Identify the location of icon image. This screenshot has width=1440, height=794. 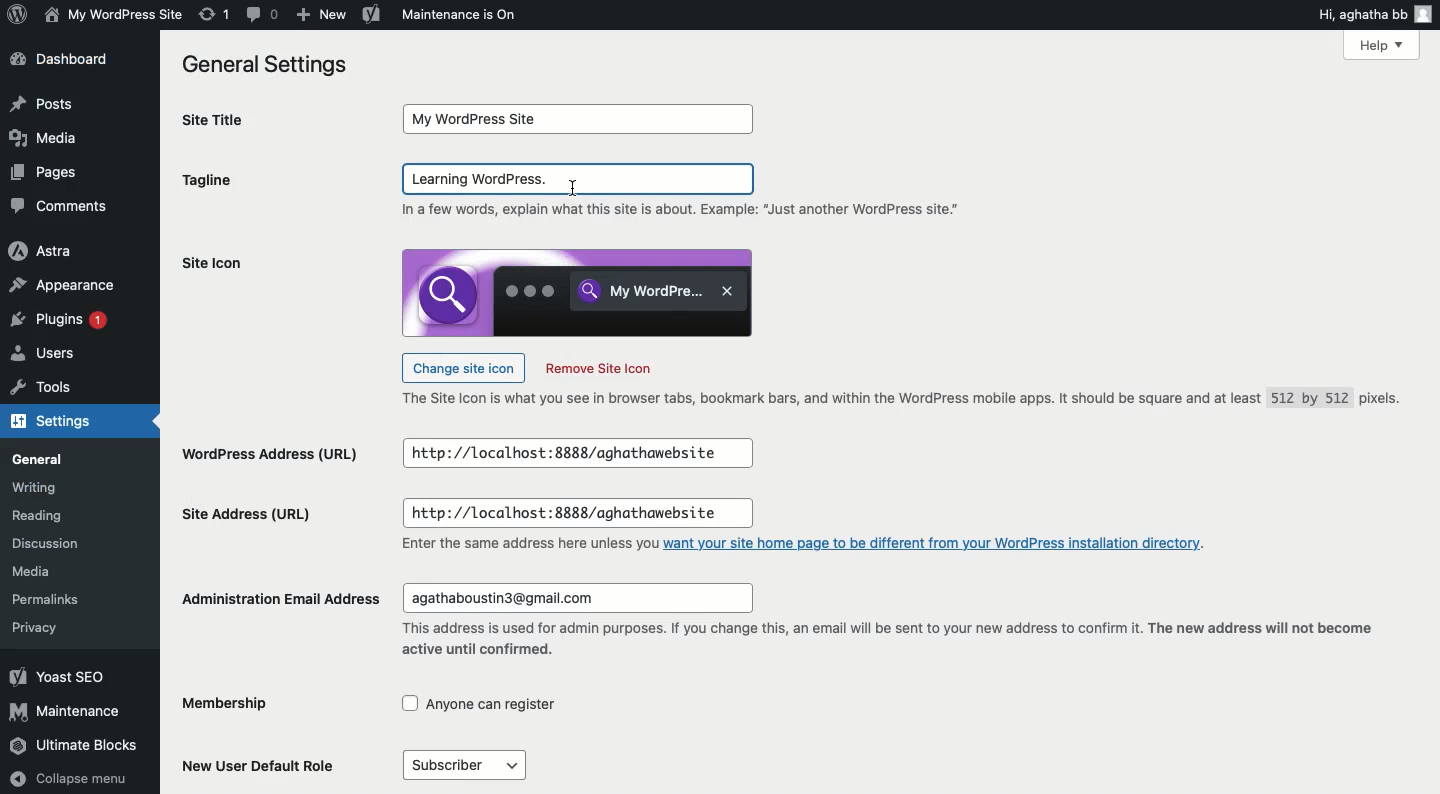
(577, 292).